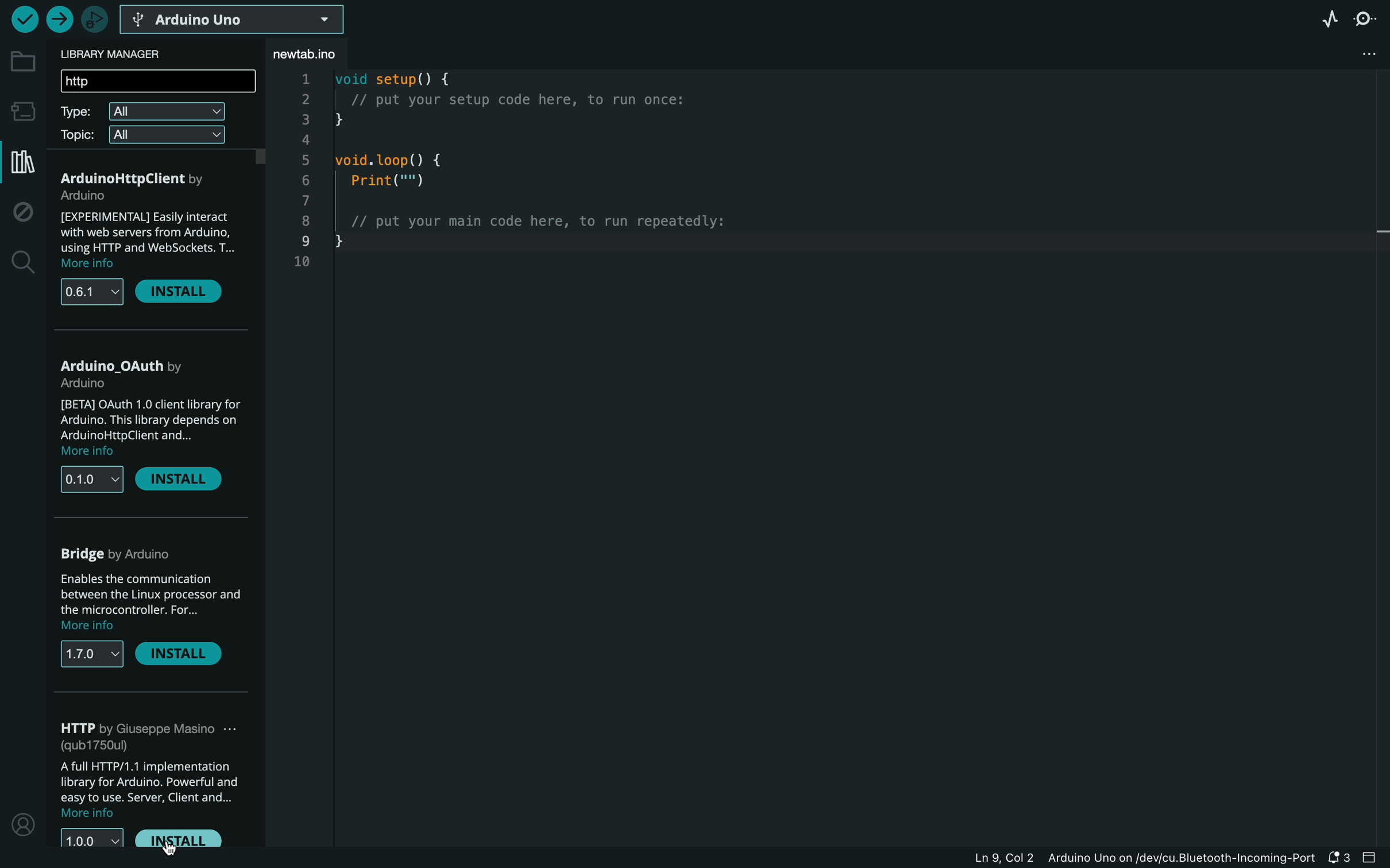 This screenshot has width=1390, height=868. I want to click on file setting, so click(1362, 52).